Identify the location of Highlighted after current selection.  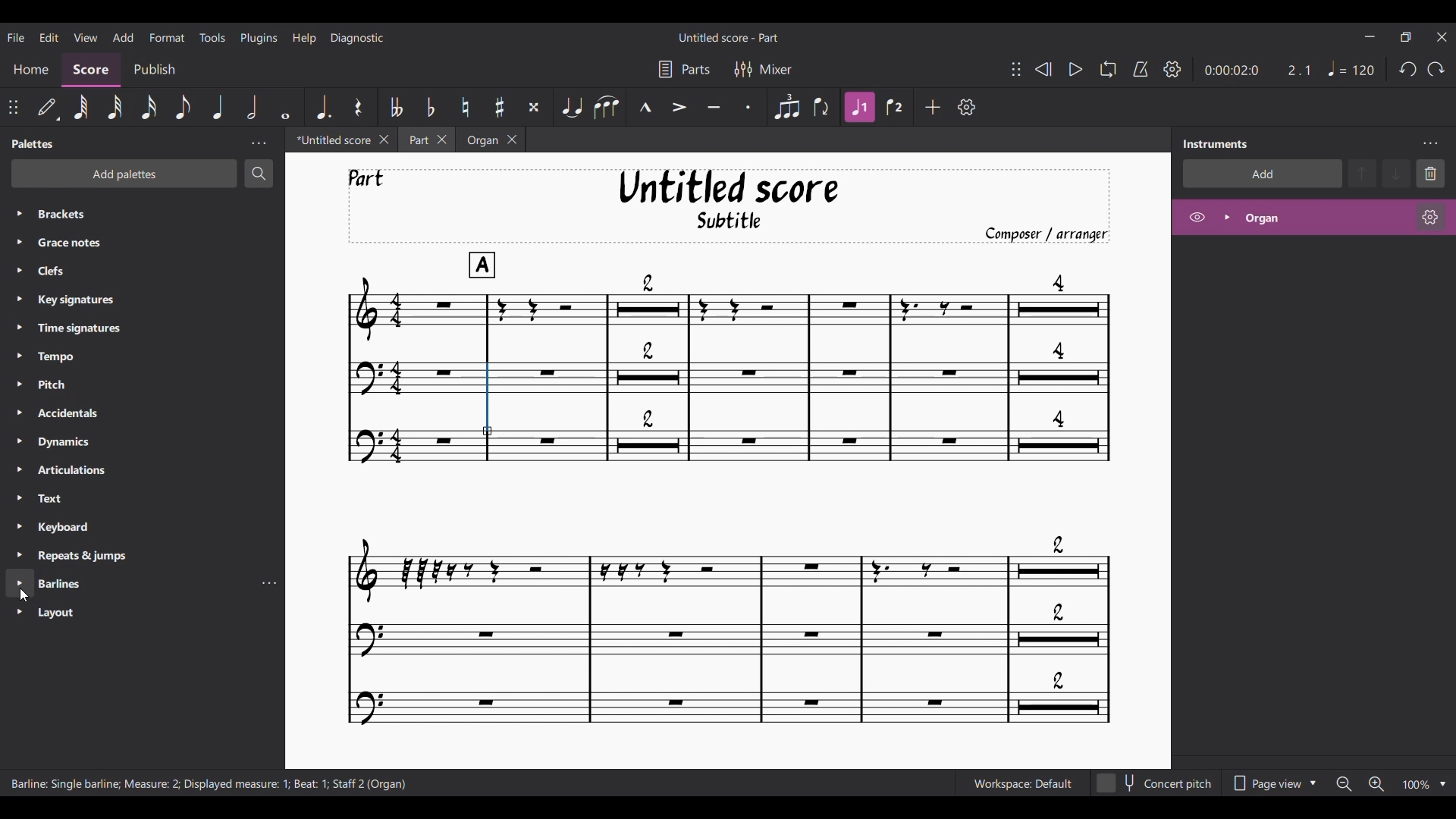
(859, 108).